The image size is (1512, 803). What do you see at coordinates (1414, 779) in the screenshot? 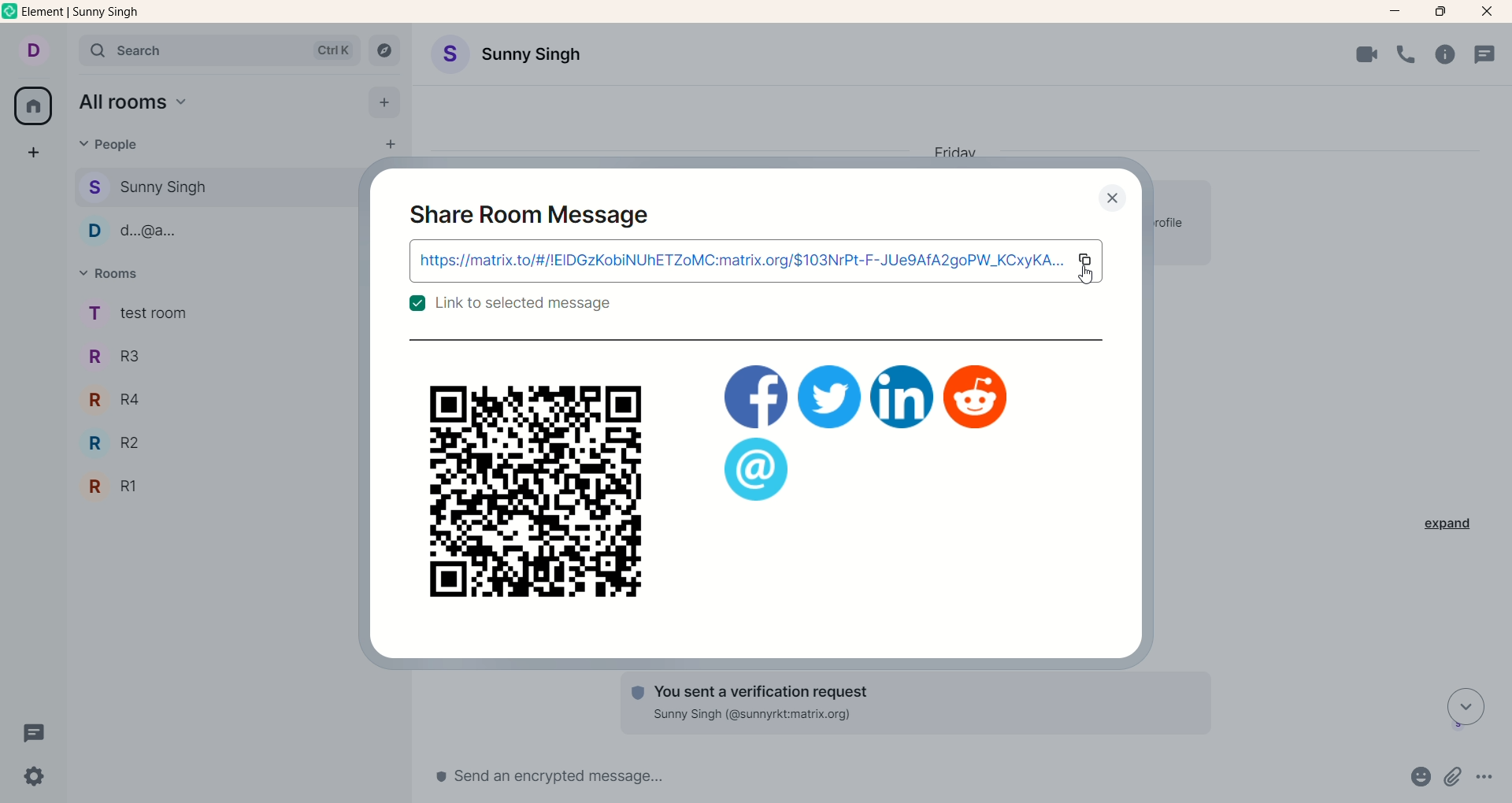
I see `emojis` at bounding box center [1414, 779].